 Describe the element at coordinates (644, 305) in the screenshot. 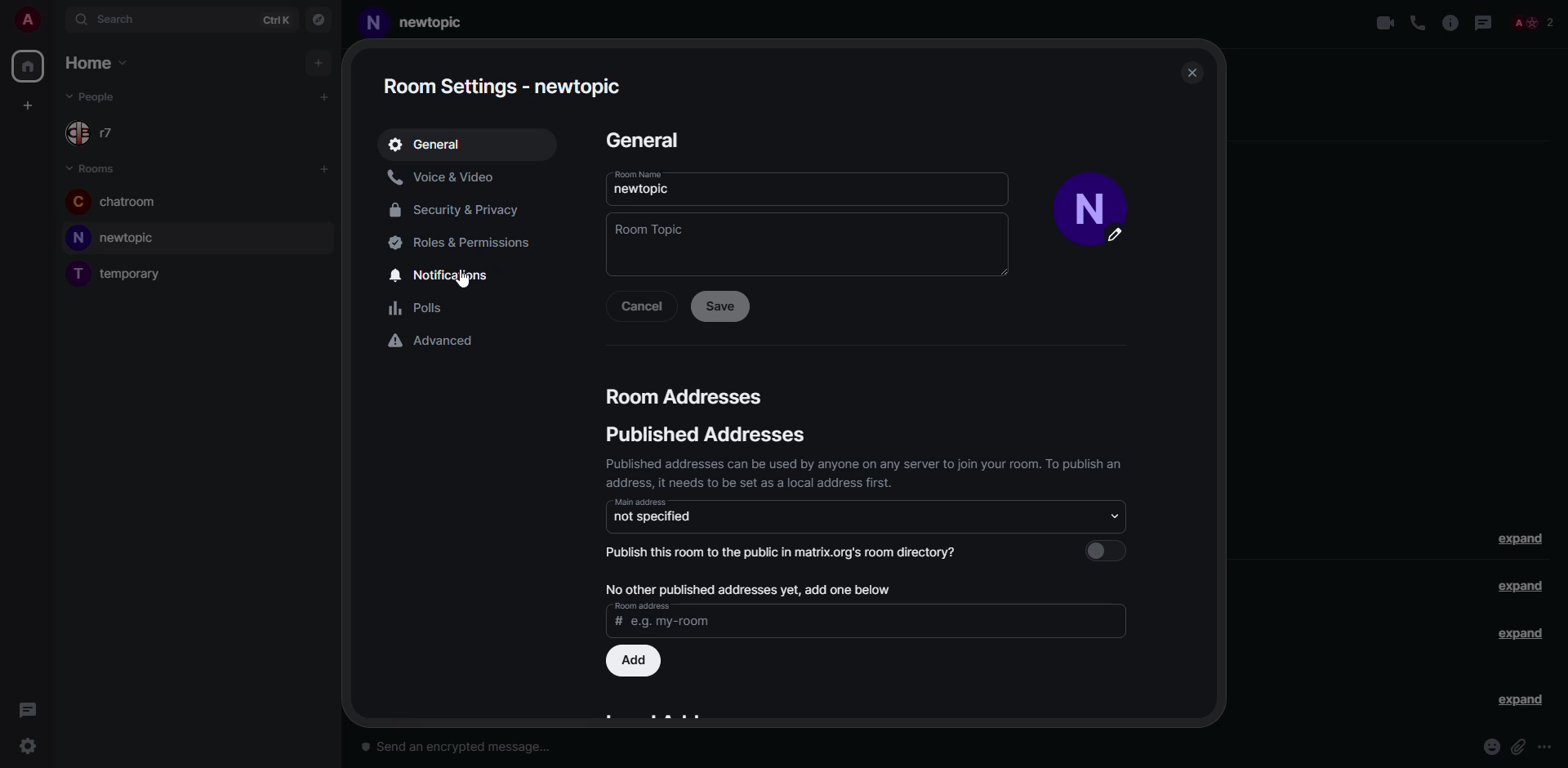

I see `cancel` at that location.